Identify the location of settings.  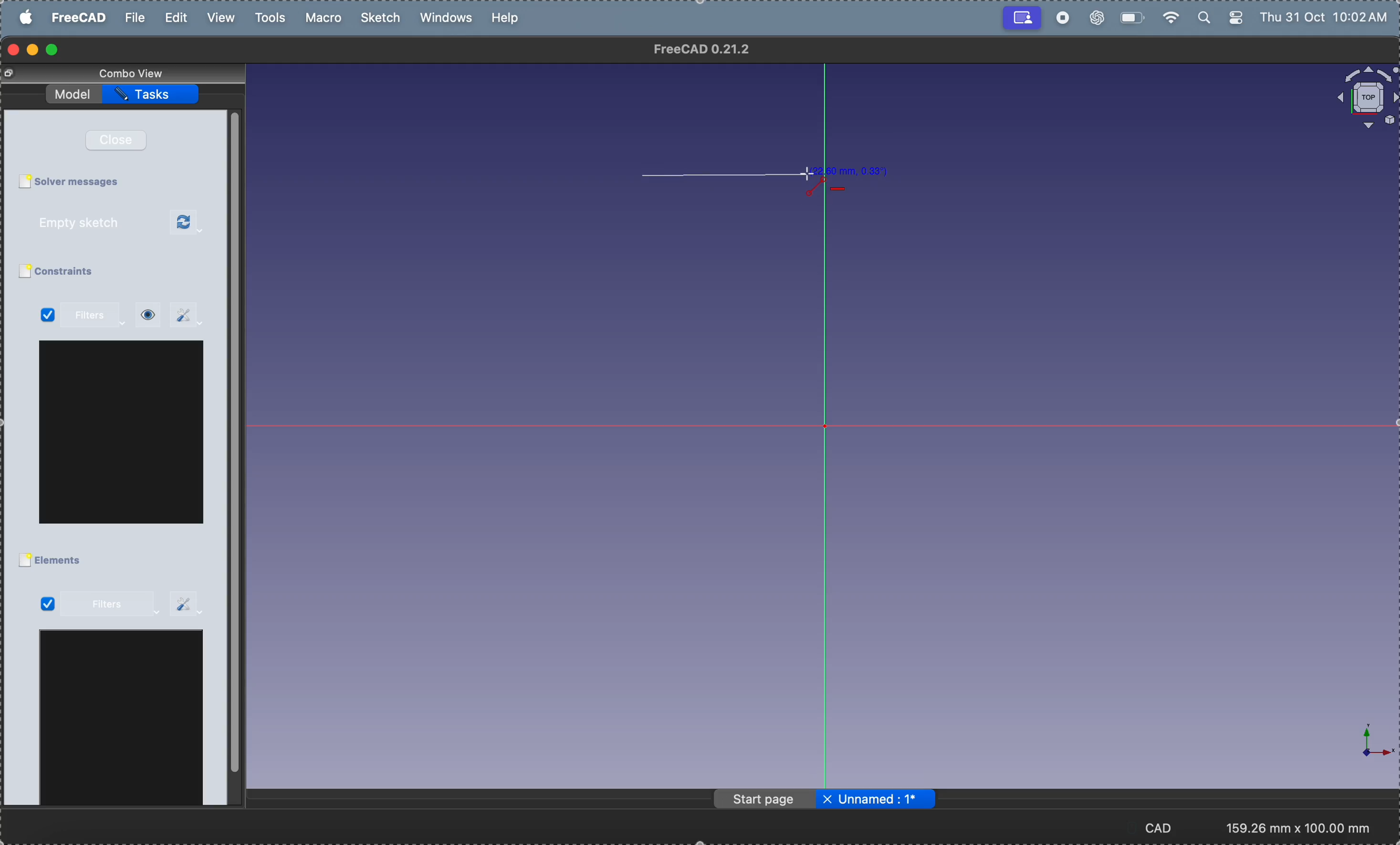
(187, 315).